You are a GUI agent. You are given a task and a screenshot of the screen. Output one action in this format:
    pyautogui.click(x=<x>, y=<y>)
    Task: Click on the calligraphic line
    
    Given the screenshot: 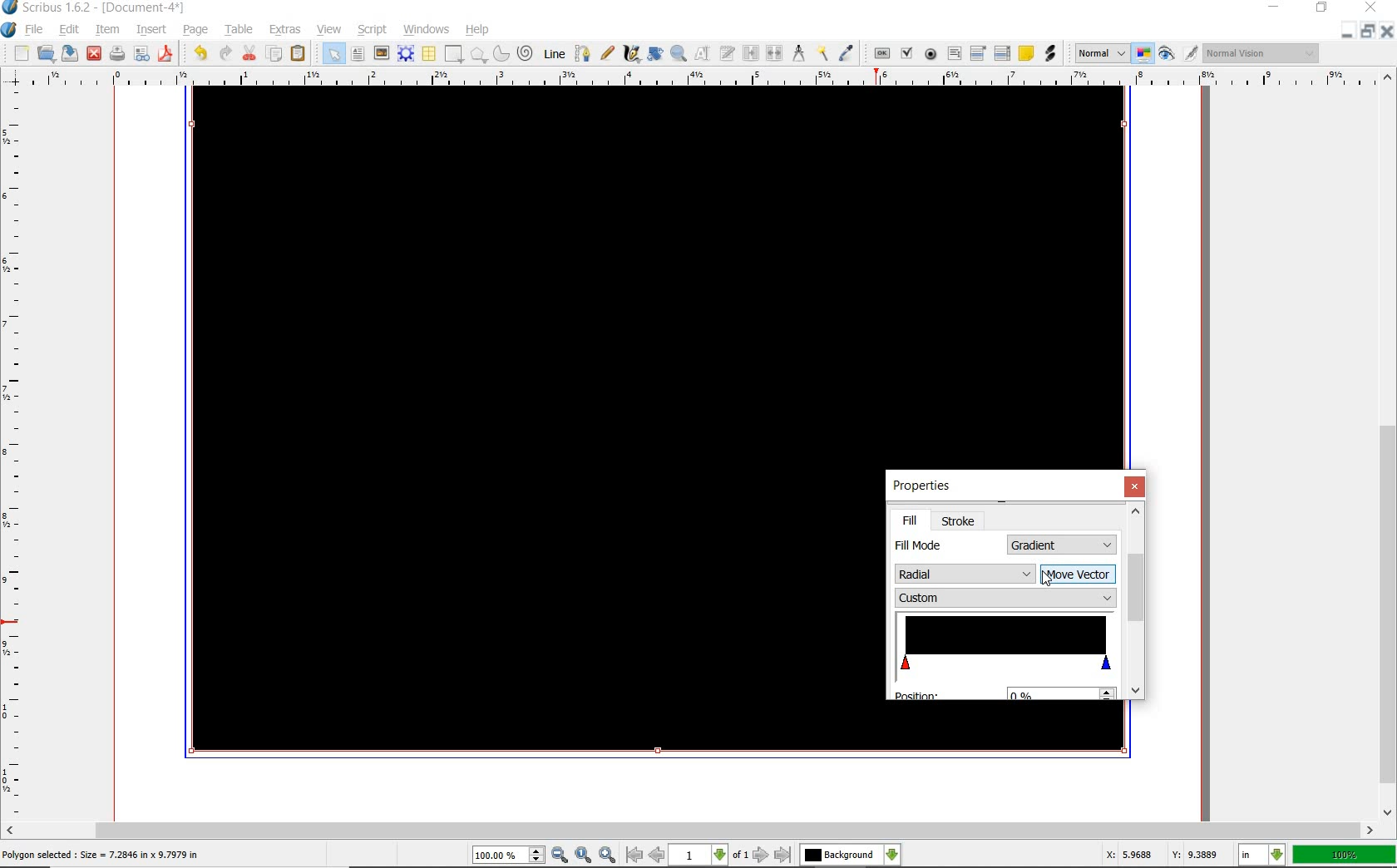 What is the action you would take?
    pyautogui.click(x=631, y=53)
    